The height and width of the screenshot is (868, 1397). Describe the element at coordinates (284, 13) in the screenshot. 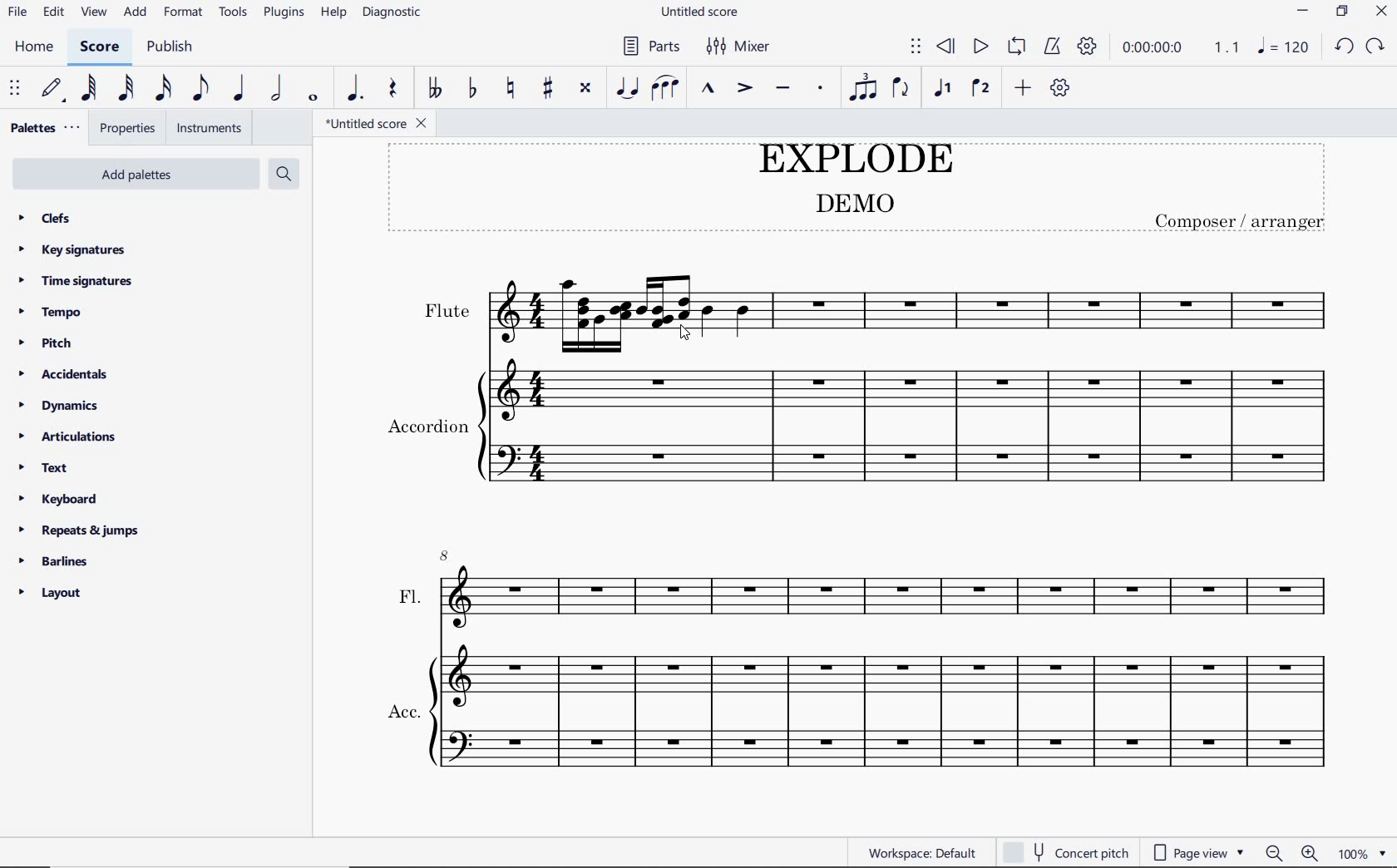

I see `plugins` at that location.